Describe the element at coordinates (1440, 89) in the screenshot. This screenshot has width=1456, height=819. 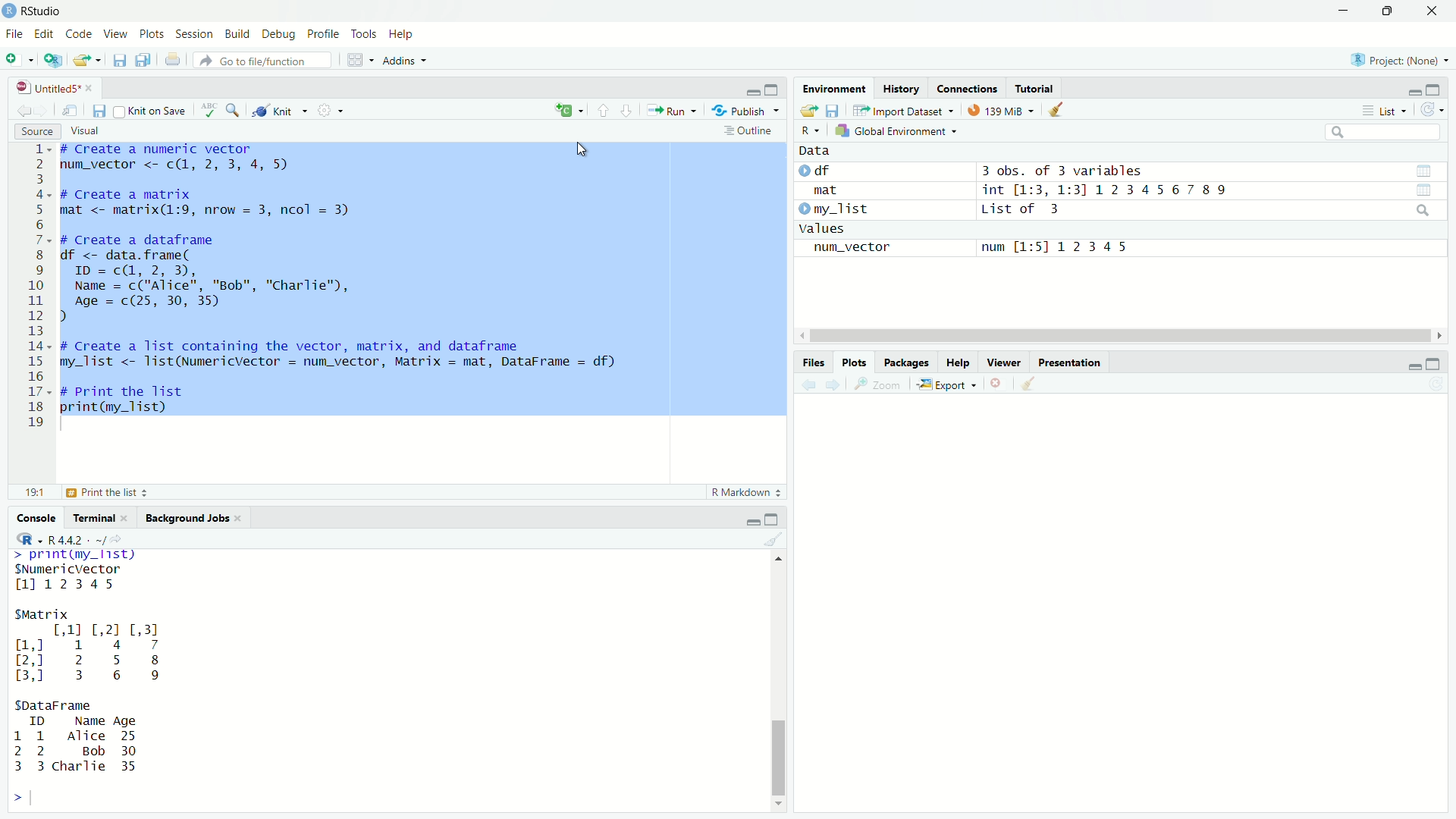
I see `maximise` at that location.